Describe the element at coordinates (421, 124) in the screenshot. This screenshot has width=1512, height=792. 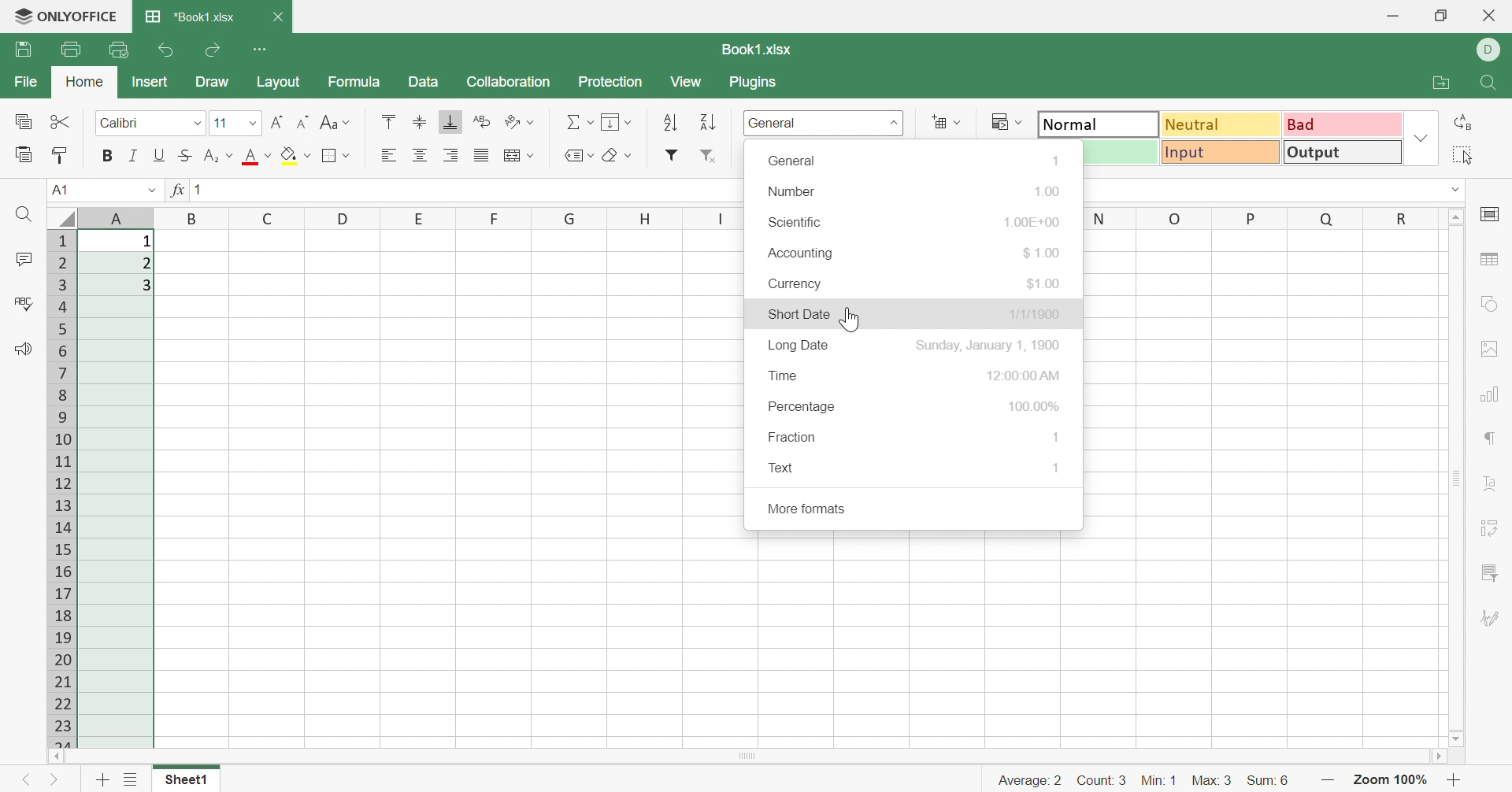
I see `Align middle` at that location.